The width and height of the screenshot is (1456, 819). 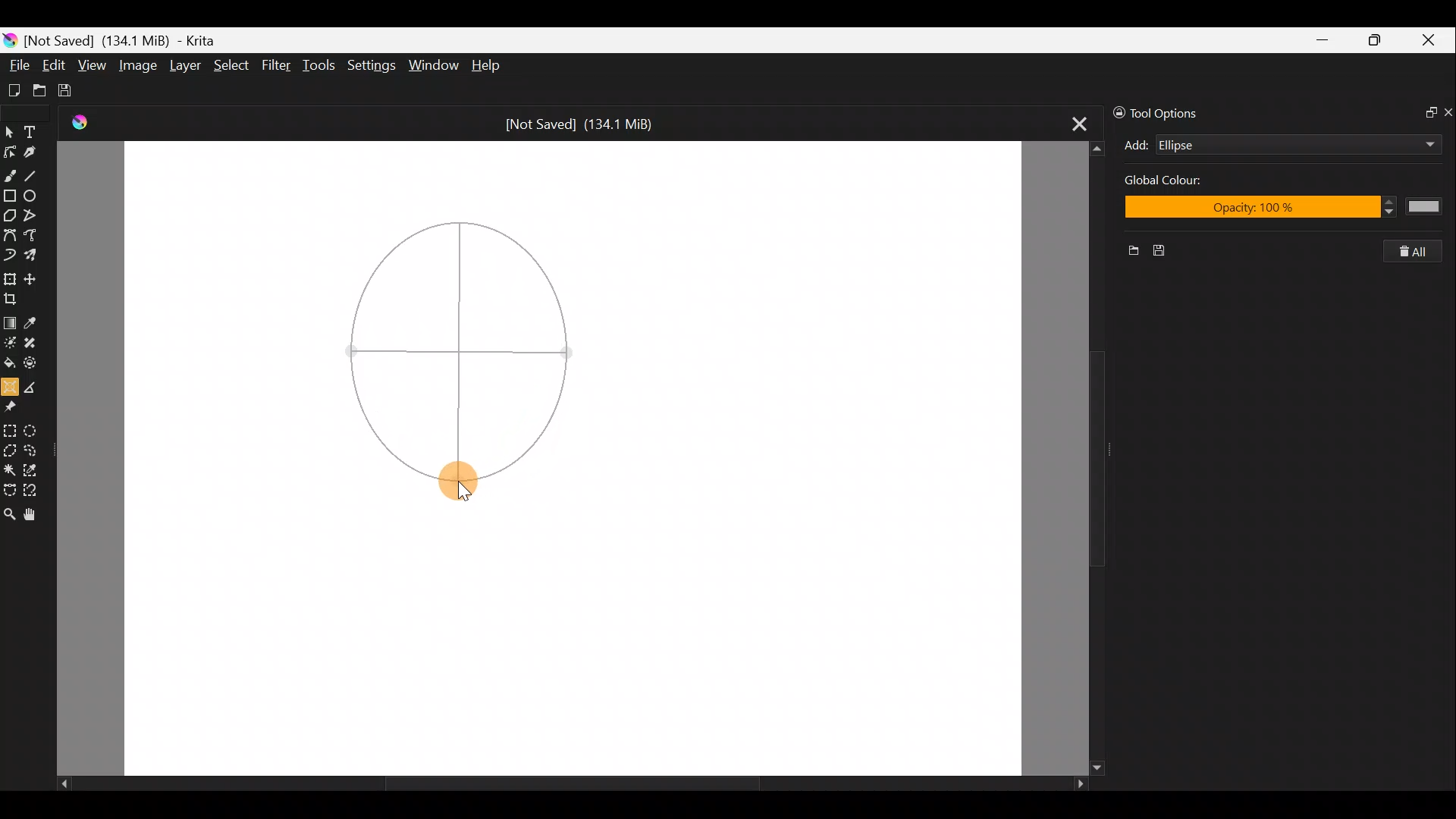 I want to click on Add, so click(x=1136, y=145).